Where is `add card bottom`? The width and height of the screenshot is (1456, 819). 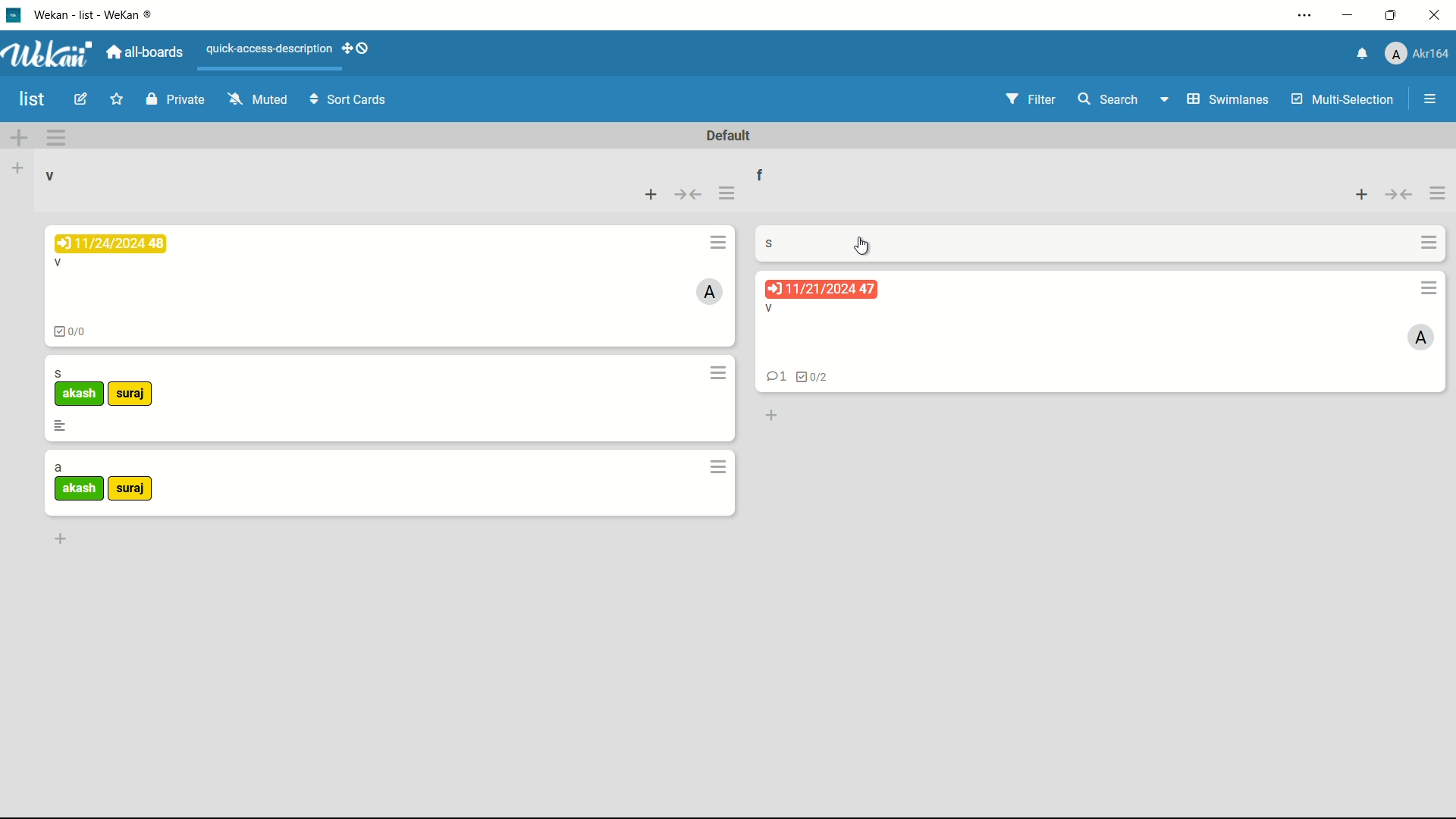
add card bottom is located at coordinates (60, 538).